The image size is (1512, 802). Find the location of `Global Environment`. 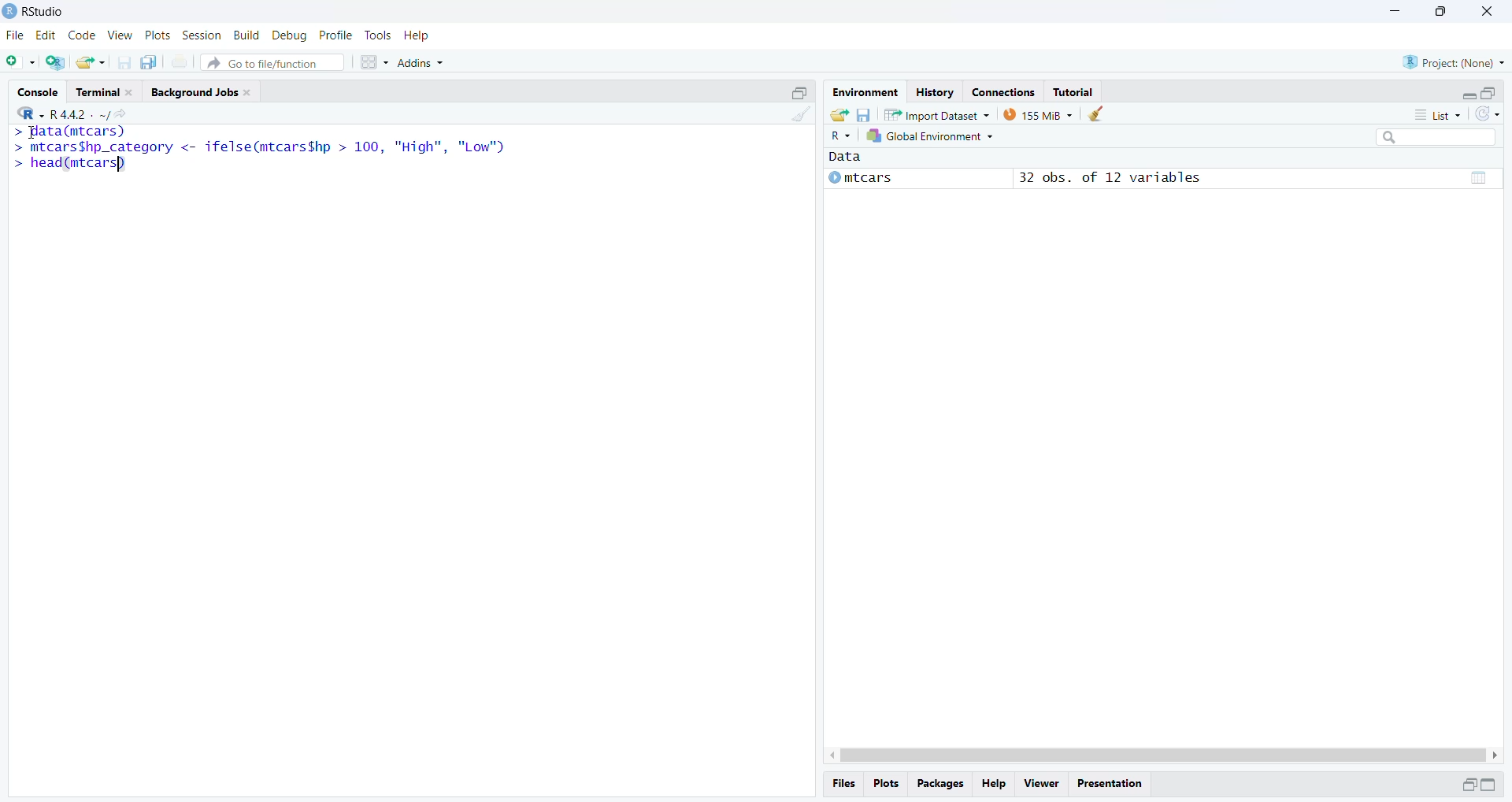

Global Environment is located at coordinates (933, 138).